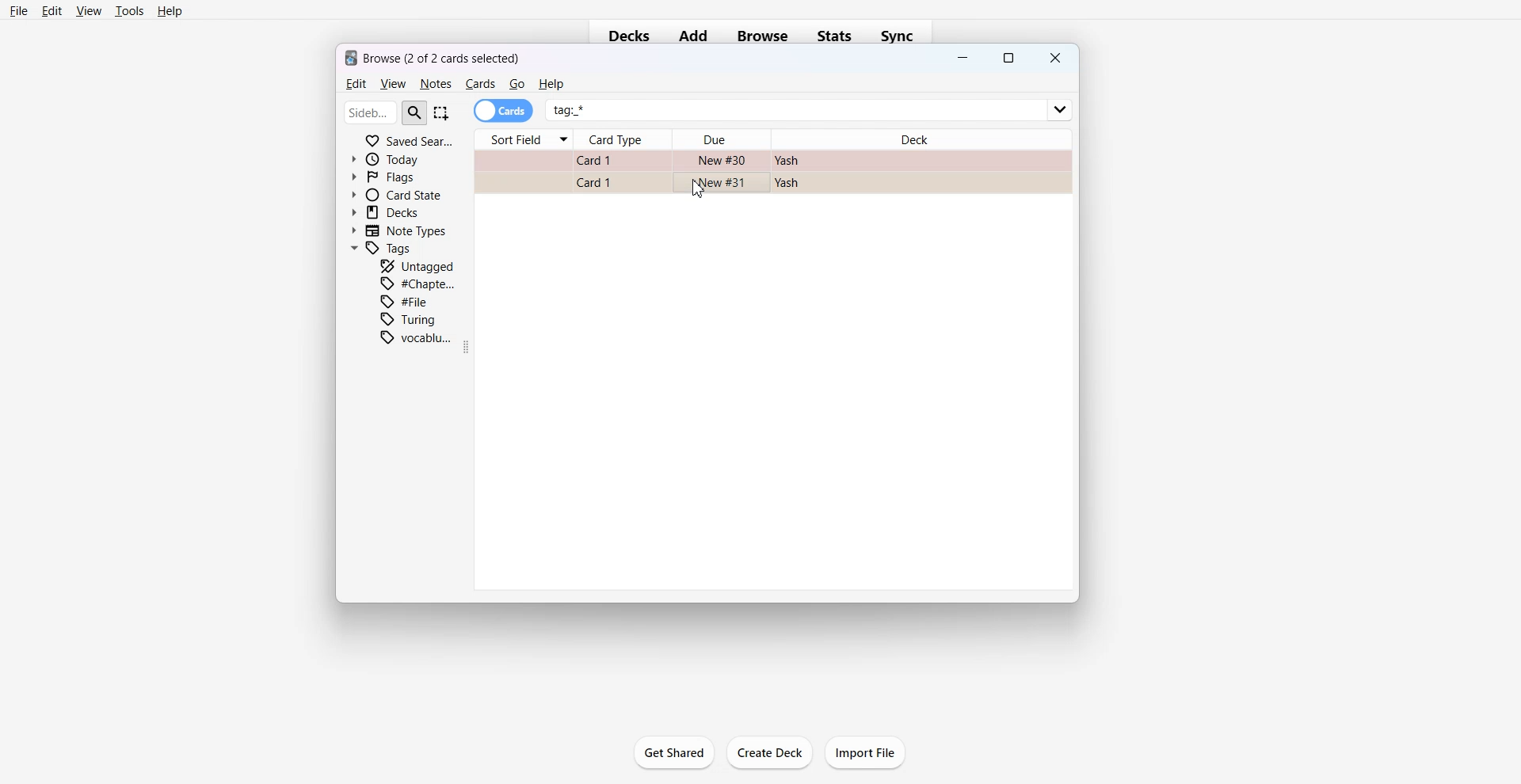 This screenshot has width=1521, height=784. Describe the element at coordinates (383, 176) in the screenshot. I see `Flags` at that location.